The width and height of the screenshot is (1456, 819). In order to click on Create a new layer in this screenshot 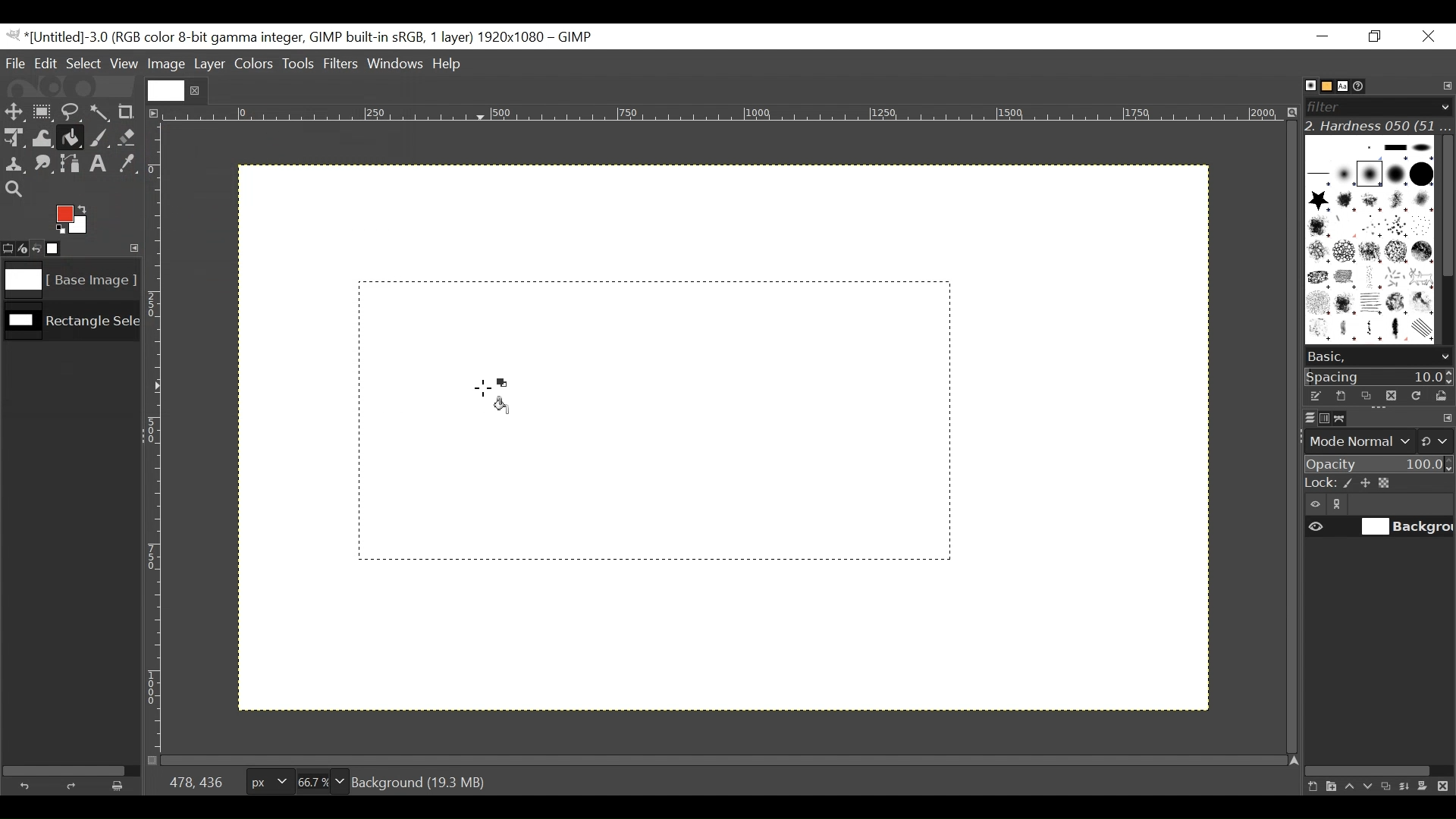, I will do `click(1330, 786)`.